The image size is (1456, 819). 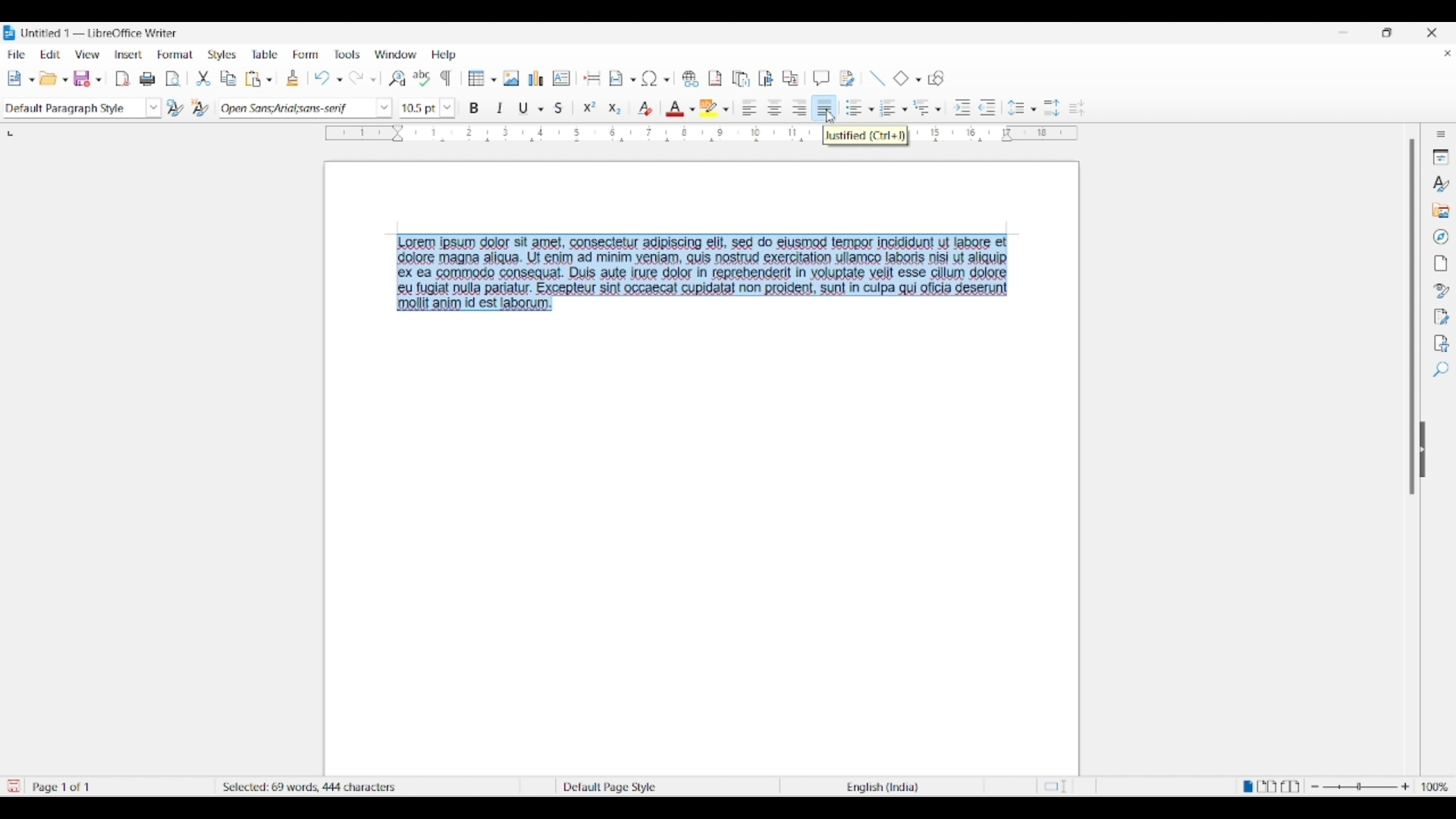 What do you see at coordinates (712, 275) in the screenshot?
I see `Lorem ipsum dolor sit ames, consectetur agipiscing elif, sed do eiusmod tempor incigidunt uf labore et
dolore magna aliqua. Ut enim ad minim veniam, quis nostrud exercitation ullameo labors nisi ut aliquip
ex ea commodo consequat. Duis aute irre dolor in reprehendexi! in yoluptate velit esse cillum dolore
eu fugiat nulla pariatur. Excepleur sint occaecal cupidatal non projdent, sunt in culpa qui oficia deserunt

mollit anim id est laborum.` at bounding box center [712, 275].